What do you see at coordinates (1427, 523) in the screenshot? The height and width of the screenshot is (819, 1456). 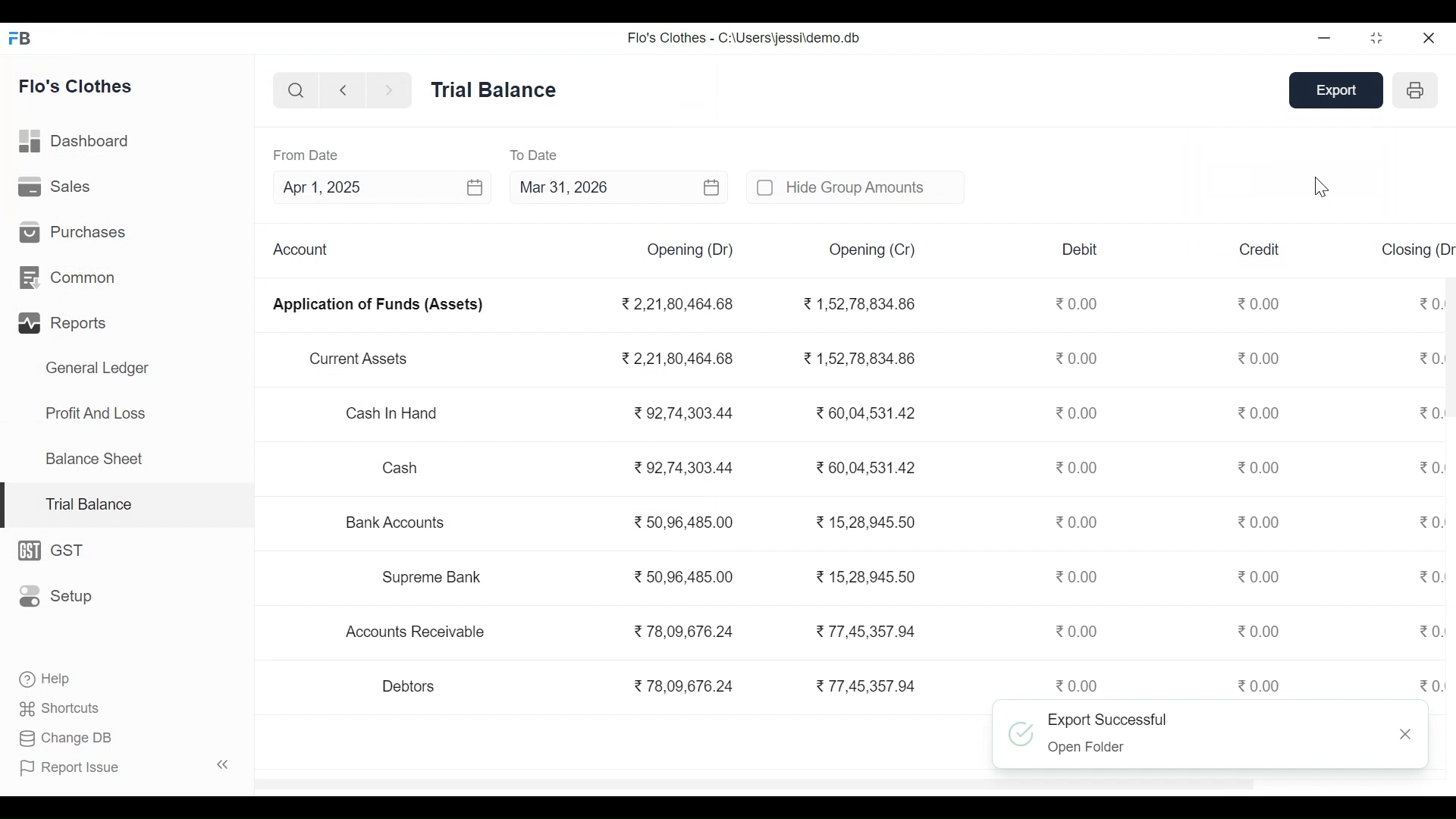 I see `0.00` at bounding box center [1427, 523].